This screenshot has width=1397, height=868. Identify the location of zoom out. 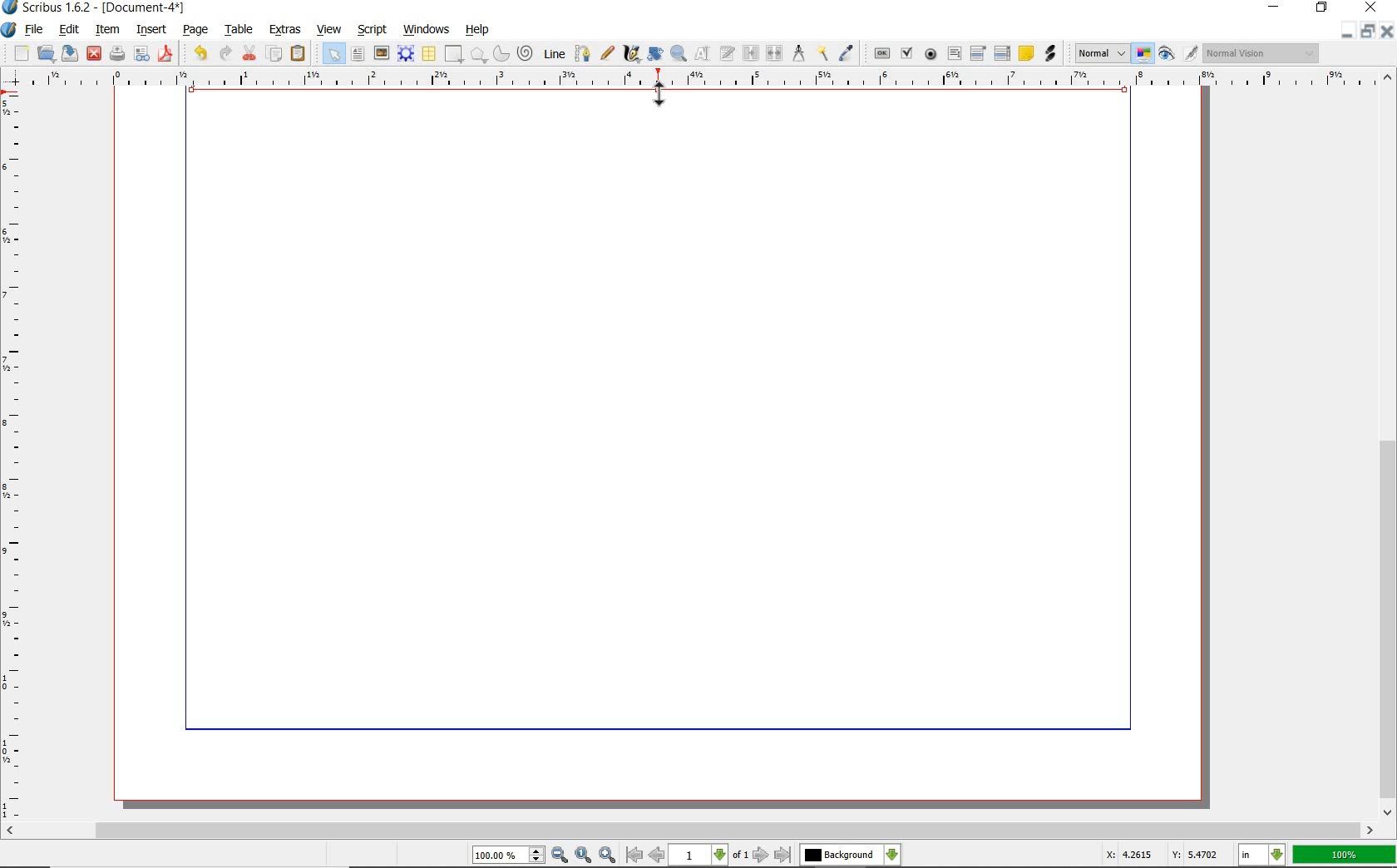
(560, 856).